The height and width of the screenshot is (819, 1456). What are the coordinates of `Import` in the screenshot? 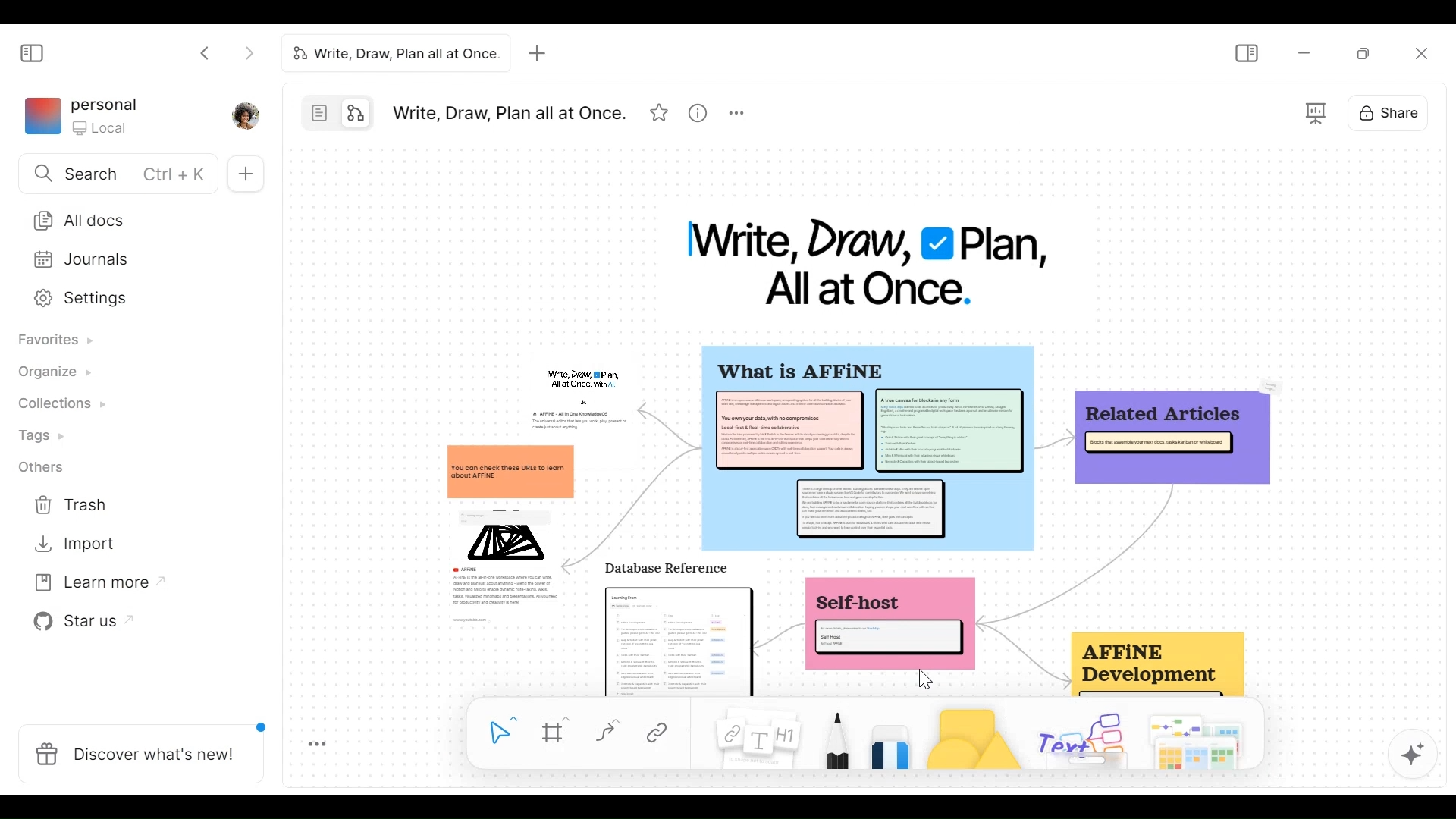 It's located at (67, 545).